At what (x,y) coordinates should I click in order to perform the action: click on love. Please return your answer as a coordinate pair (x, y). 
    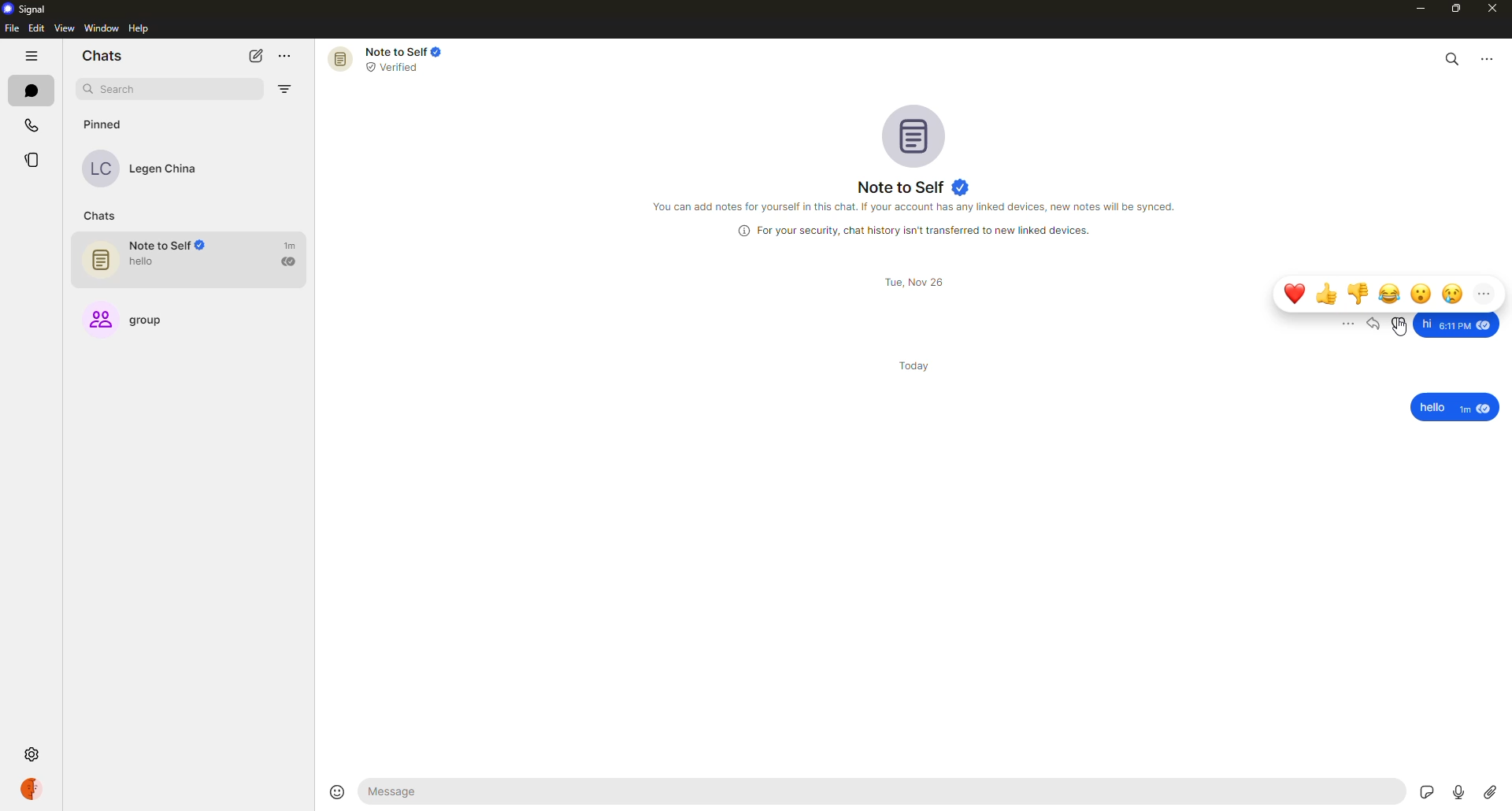
    Looking at the image, I should click on (1295, 293).